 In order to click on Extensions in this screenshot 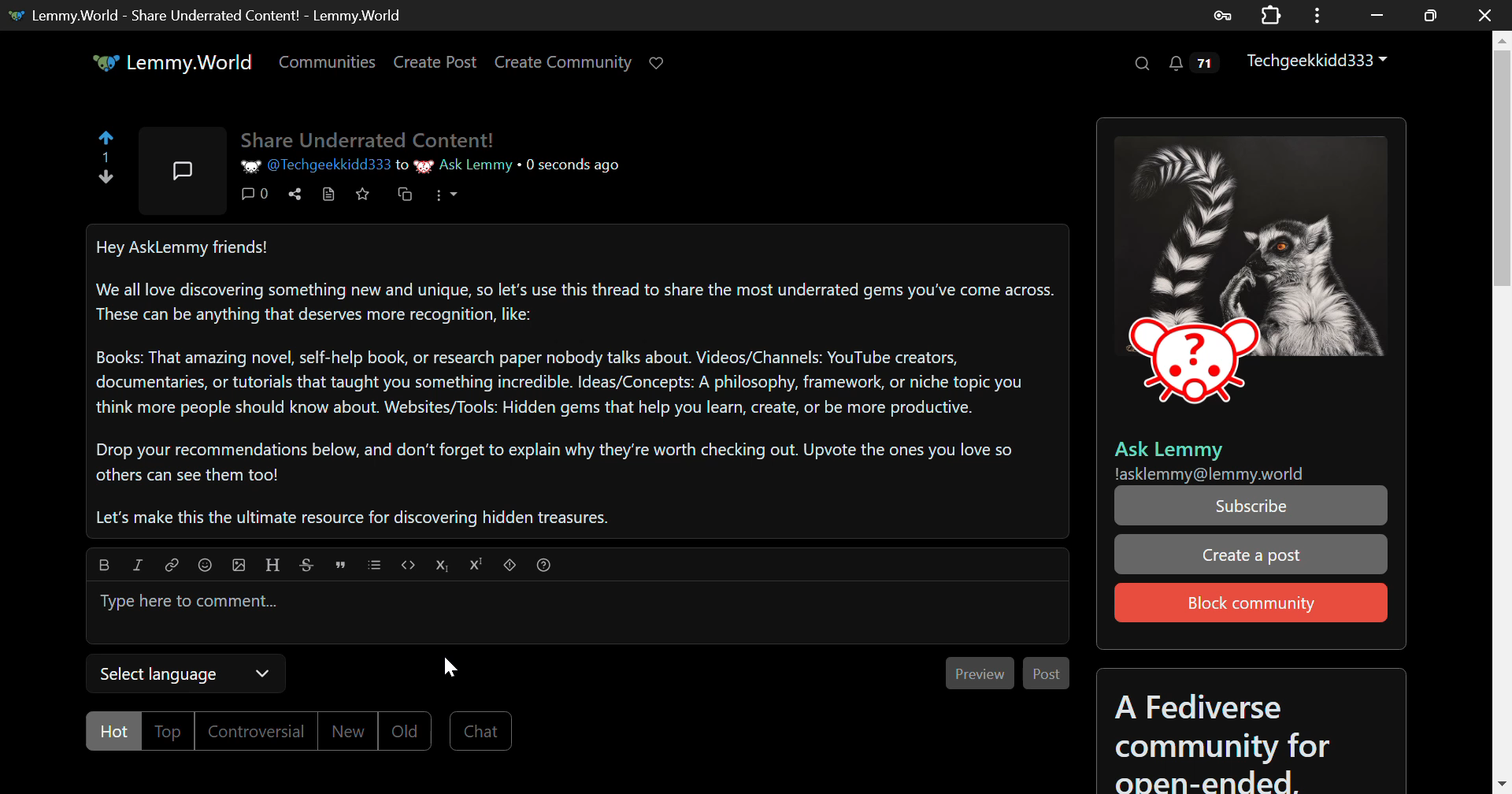, I will do `click(1271, 13)`.